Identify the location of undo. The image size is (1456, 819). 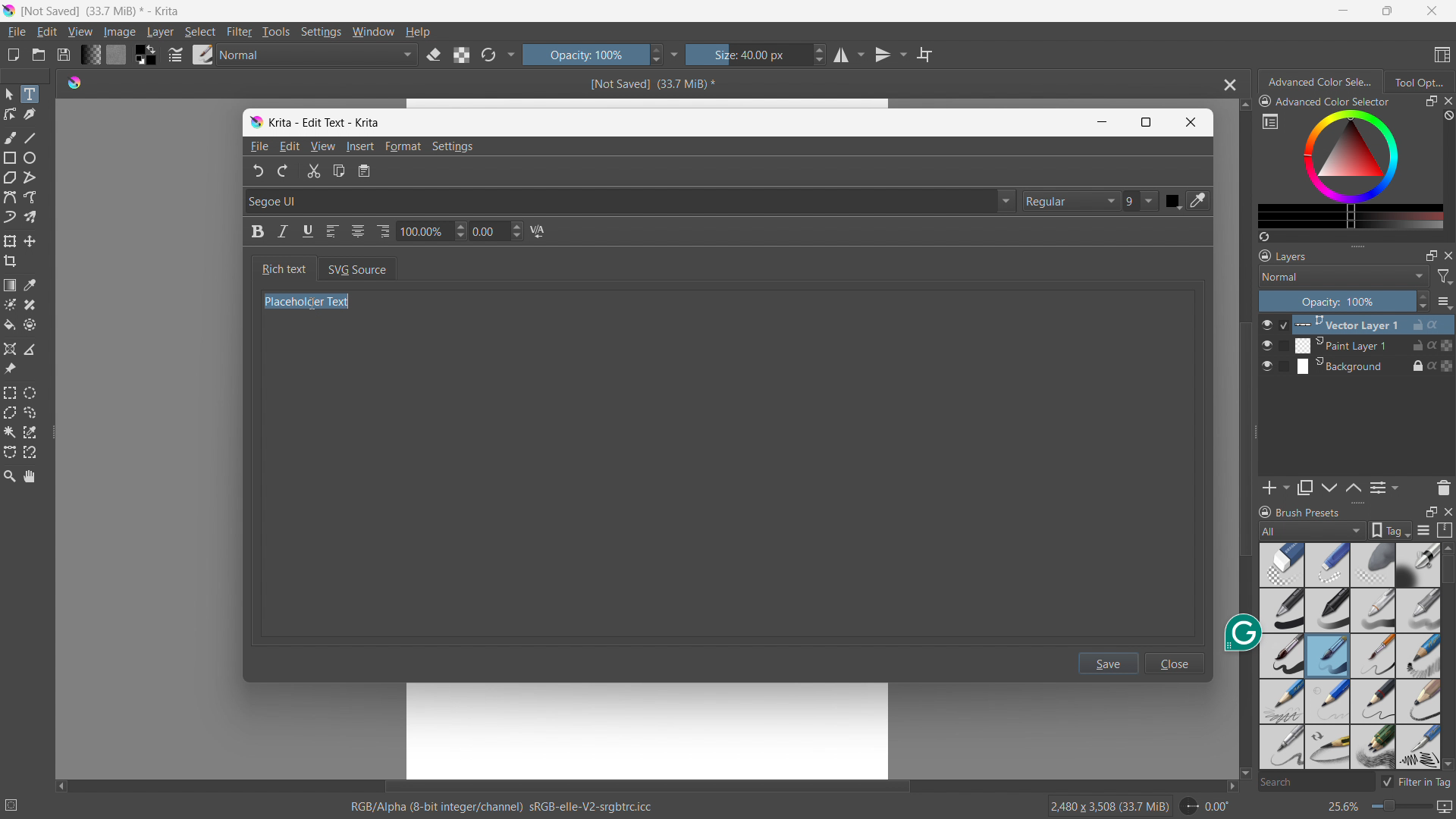
(253, 171).